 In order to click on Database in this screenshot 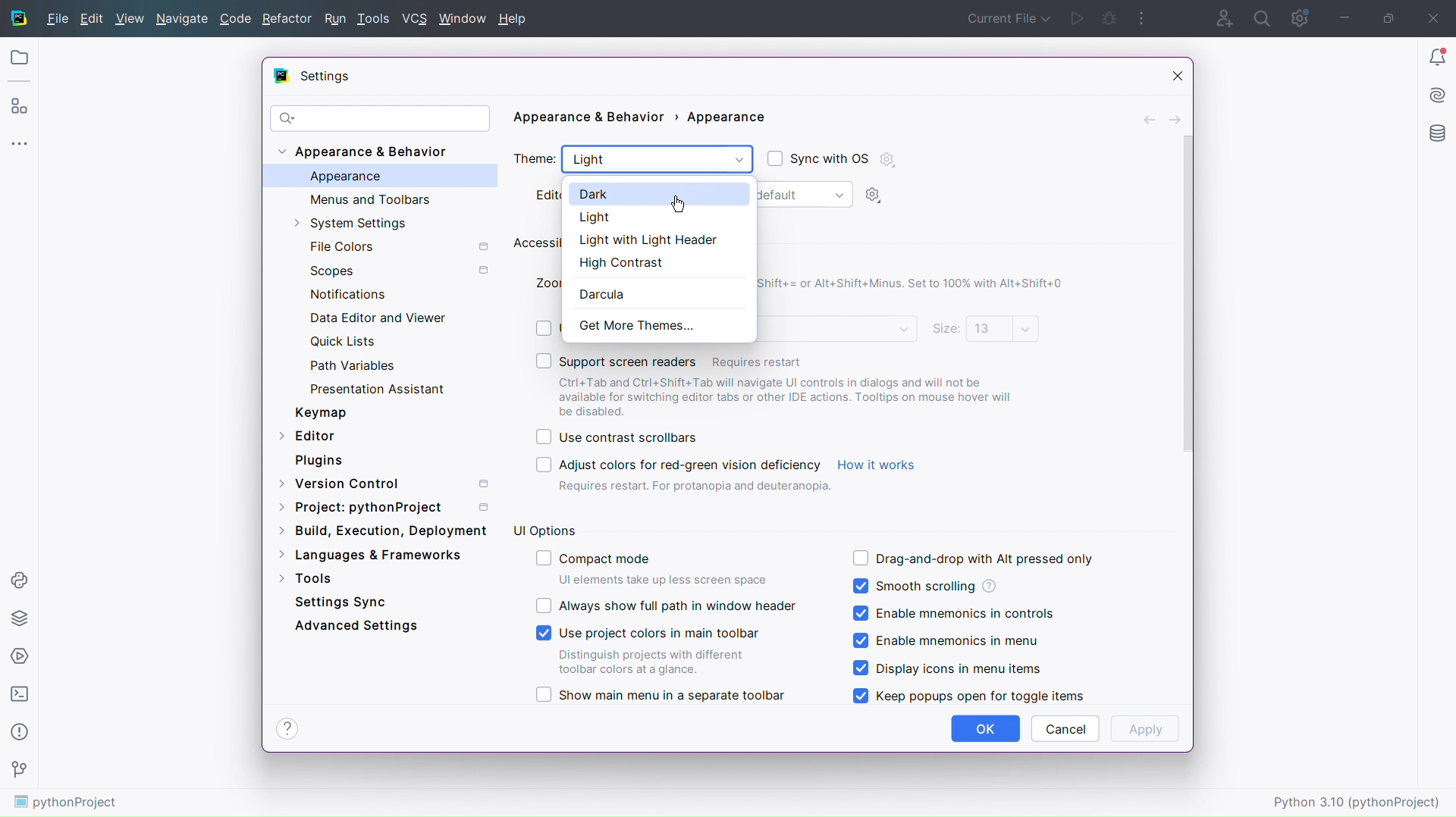, I will do `click(1439, 135)`.